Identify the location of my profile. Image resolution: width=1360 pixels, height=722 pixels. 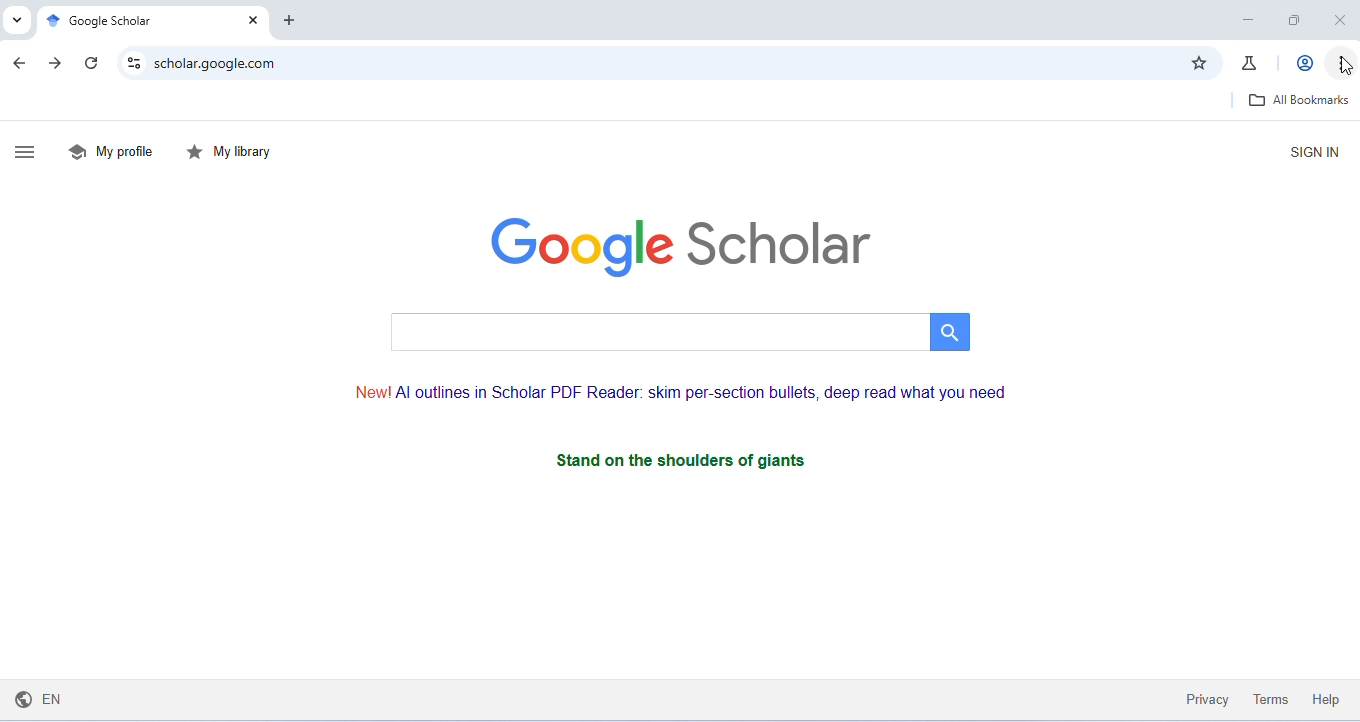
(111, 152).